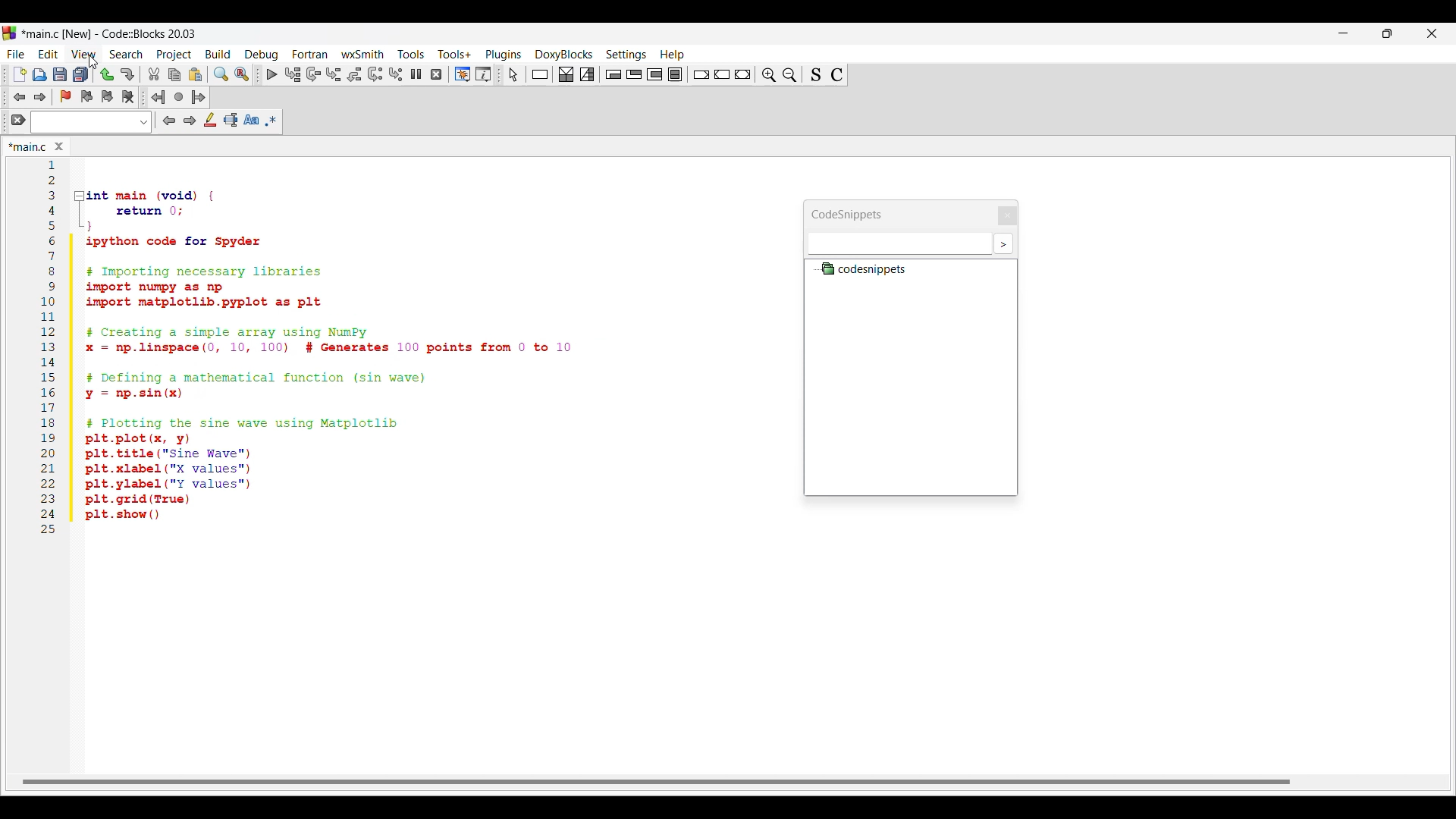 This screenshot has width=1456, height=819. I want to click on Toggle forward, so click(39, 97).